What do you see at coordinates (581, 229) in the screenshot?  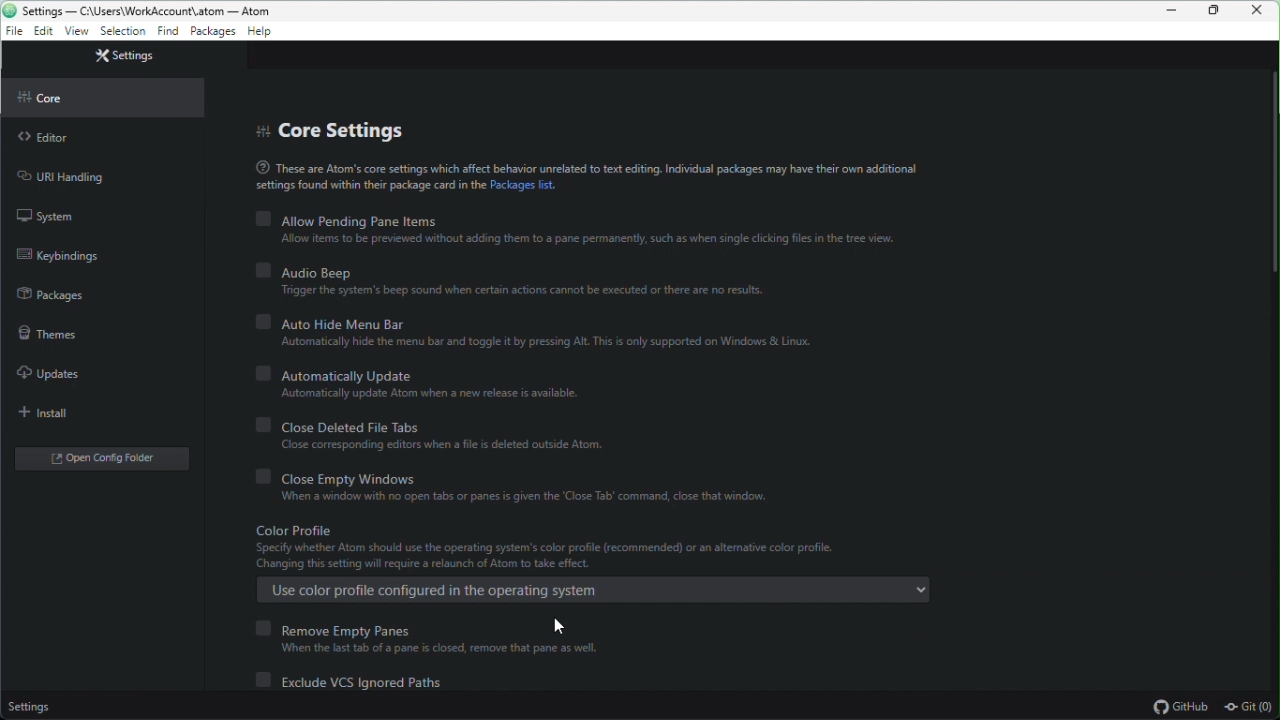 I see `Allow pending Pane items` at bounding box center [581, 229].